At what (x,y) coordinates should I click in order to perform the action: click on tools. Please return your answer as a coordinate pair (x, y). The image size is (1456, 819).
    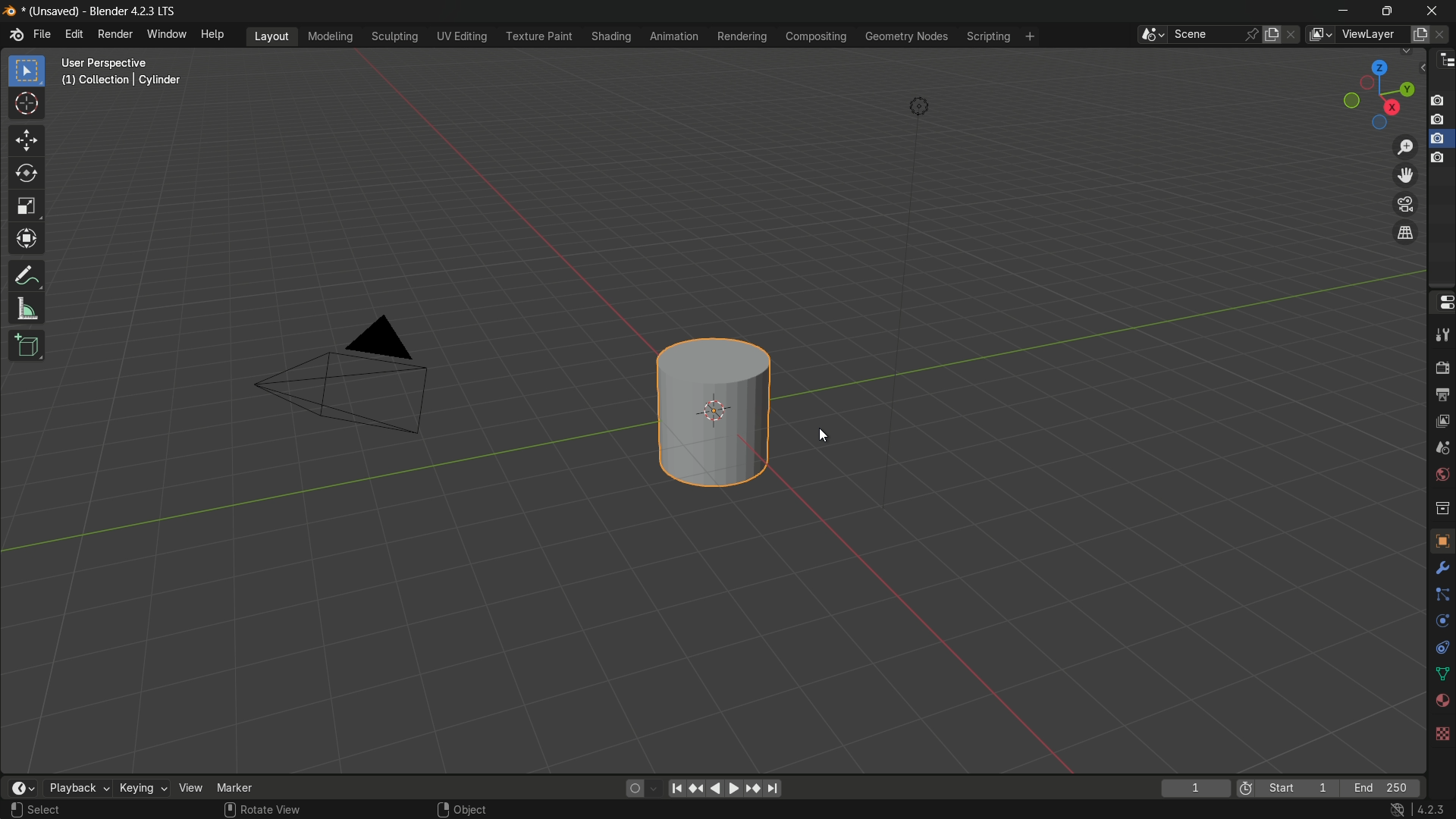
    Looking at the image, I should click on (1441, 337).